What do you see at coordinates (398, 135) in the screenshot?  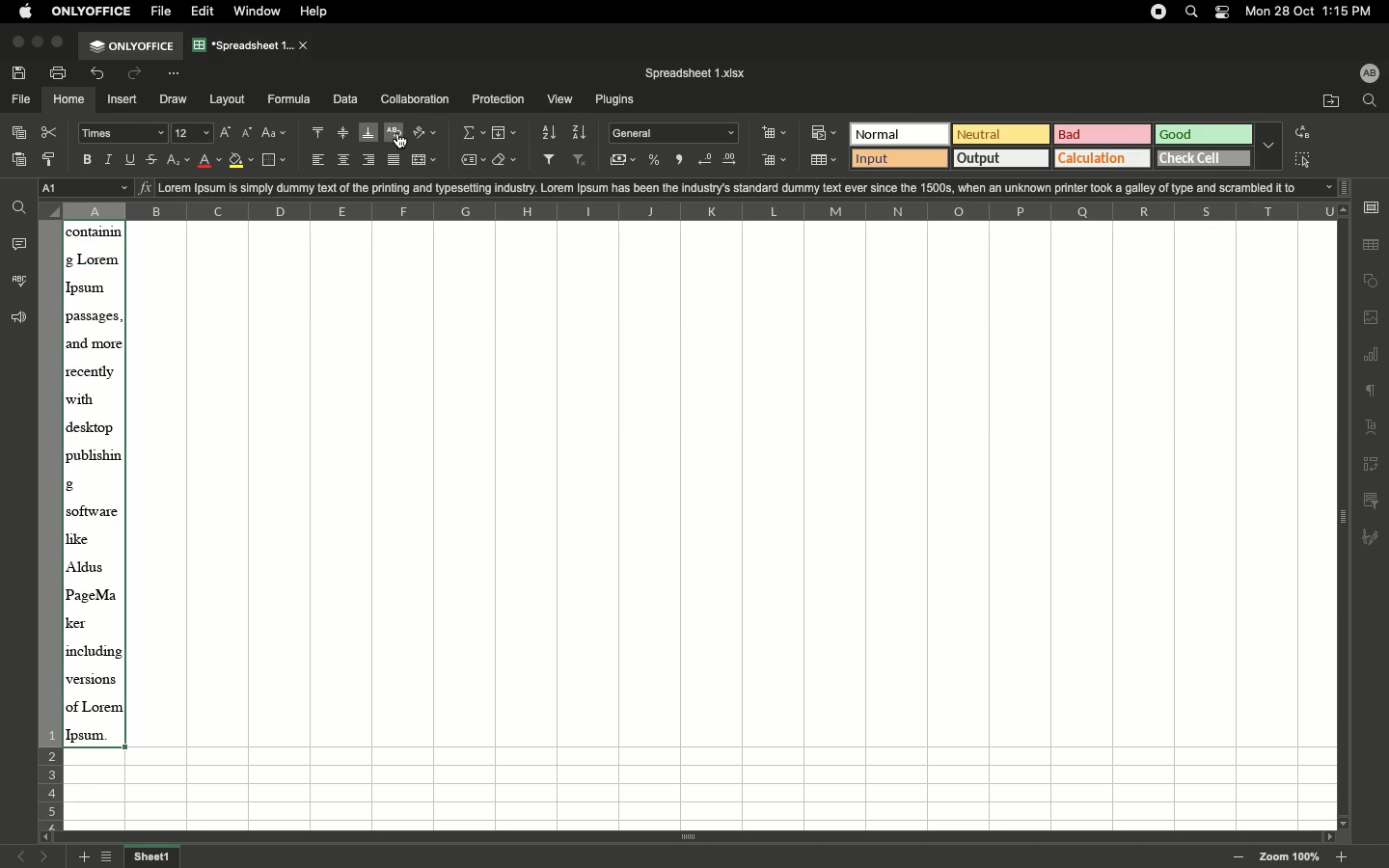 I see `Wrap text` at bounding box center [398, 135].